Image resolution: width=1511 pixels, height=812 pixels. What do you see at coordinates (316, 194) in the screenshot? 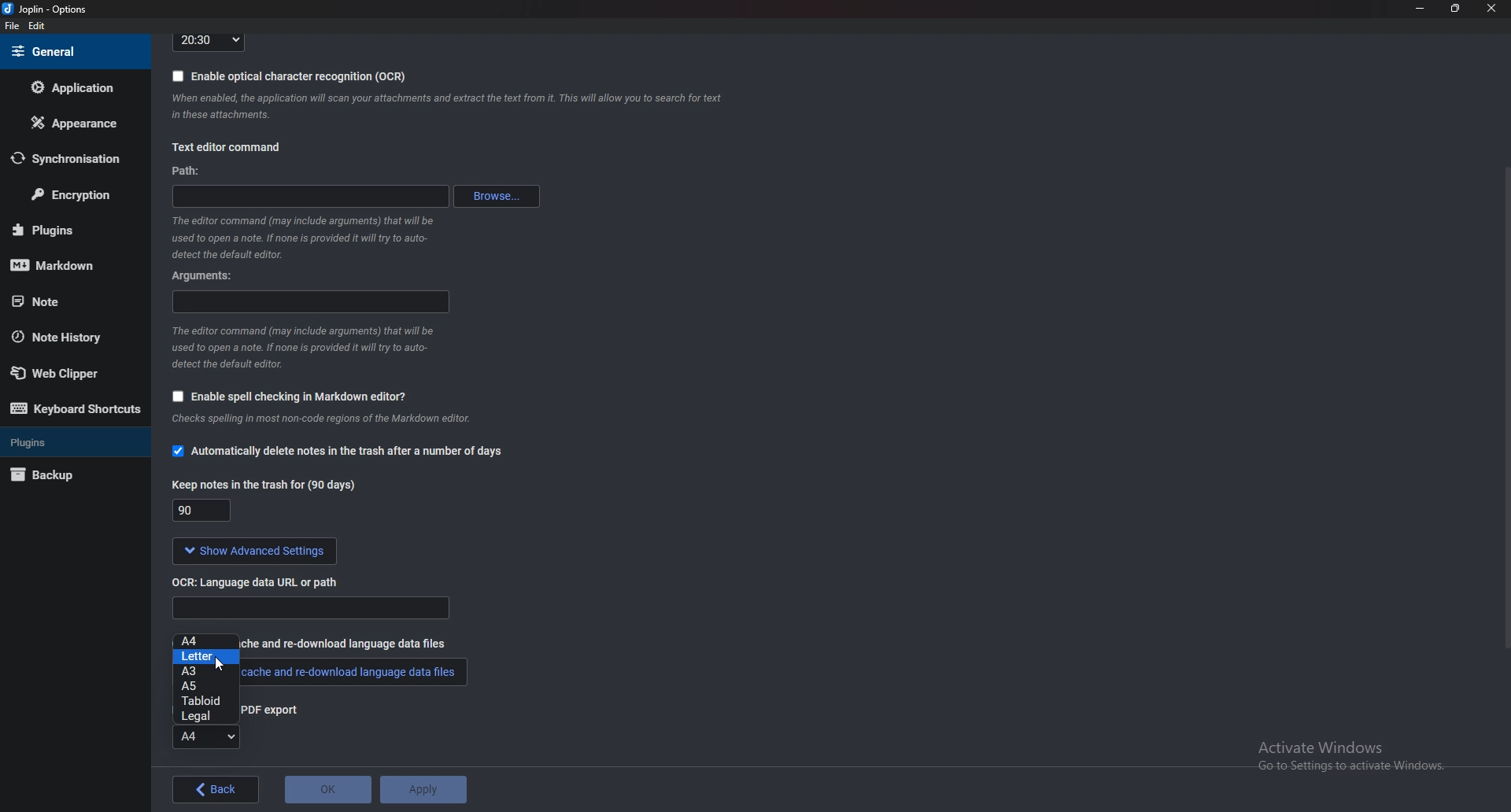
I see `path` at bounding box center [316, 194].